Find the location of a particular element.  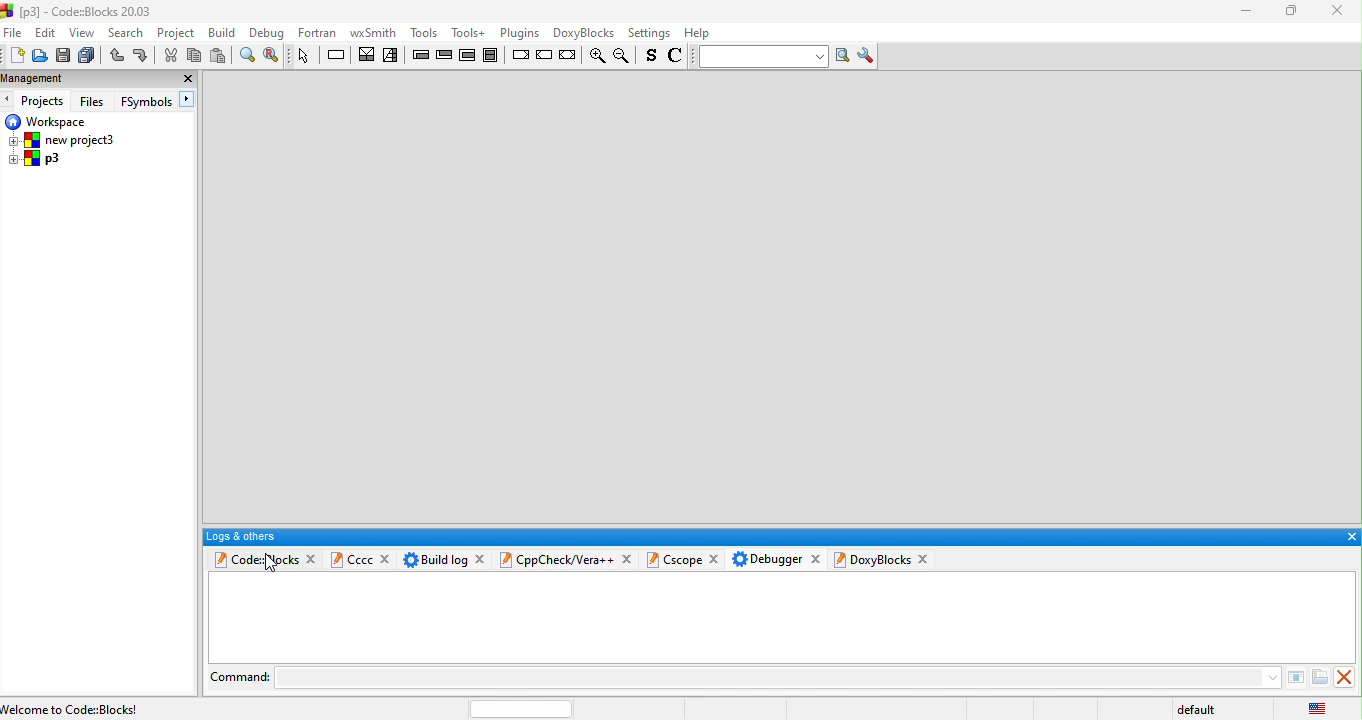

close is located at coordinates (815, 557).